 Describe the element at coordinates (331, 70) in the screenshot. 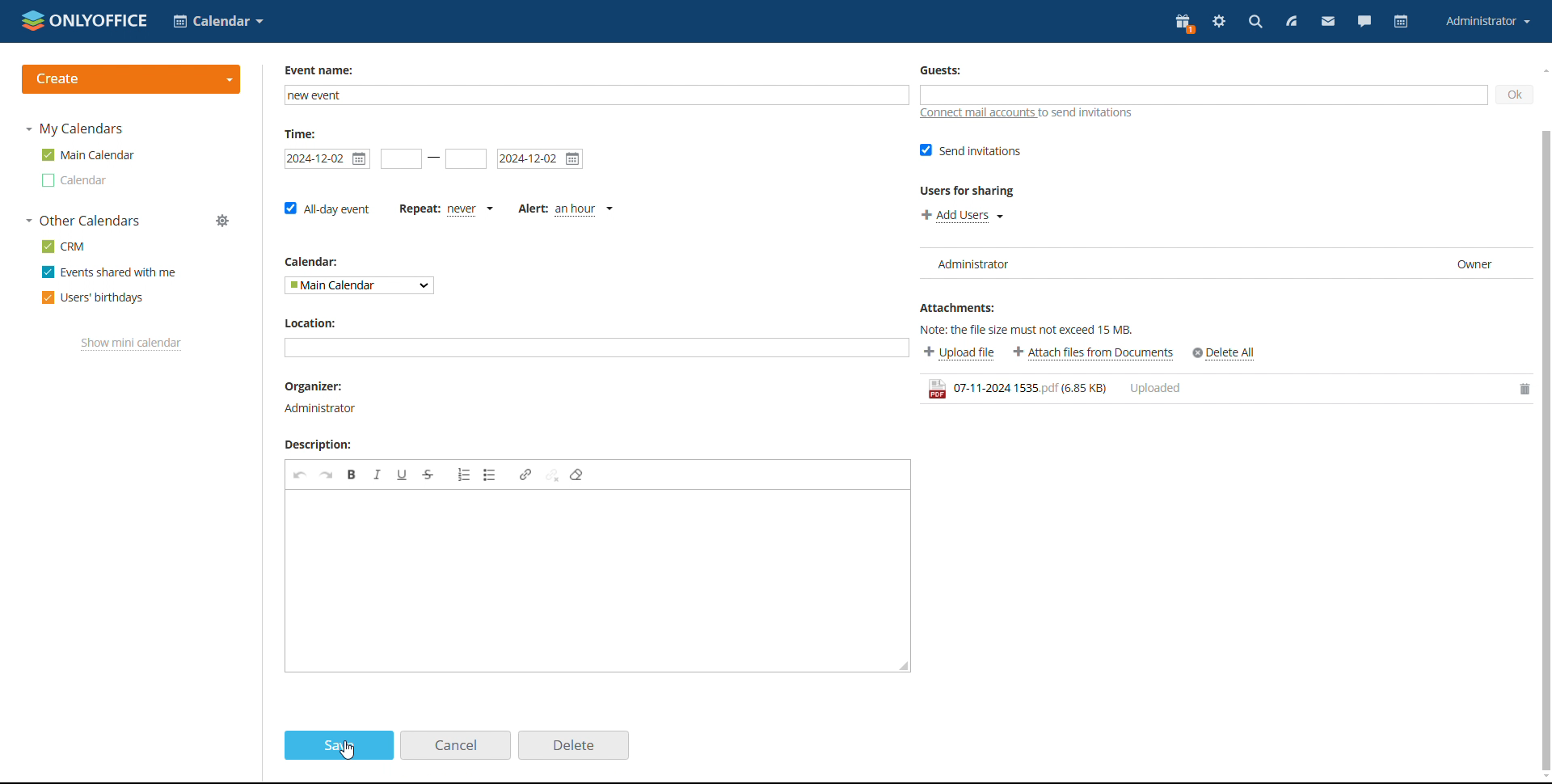

I see `event name:` at that location.